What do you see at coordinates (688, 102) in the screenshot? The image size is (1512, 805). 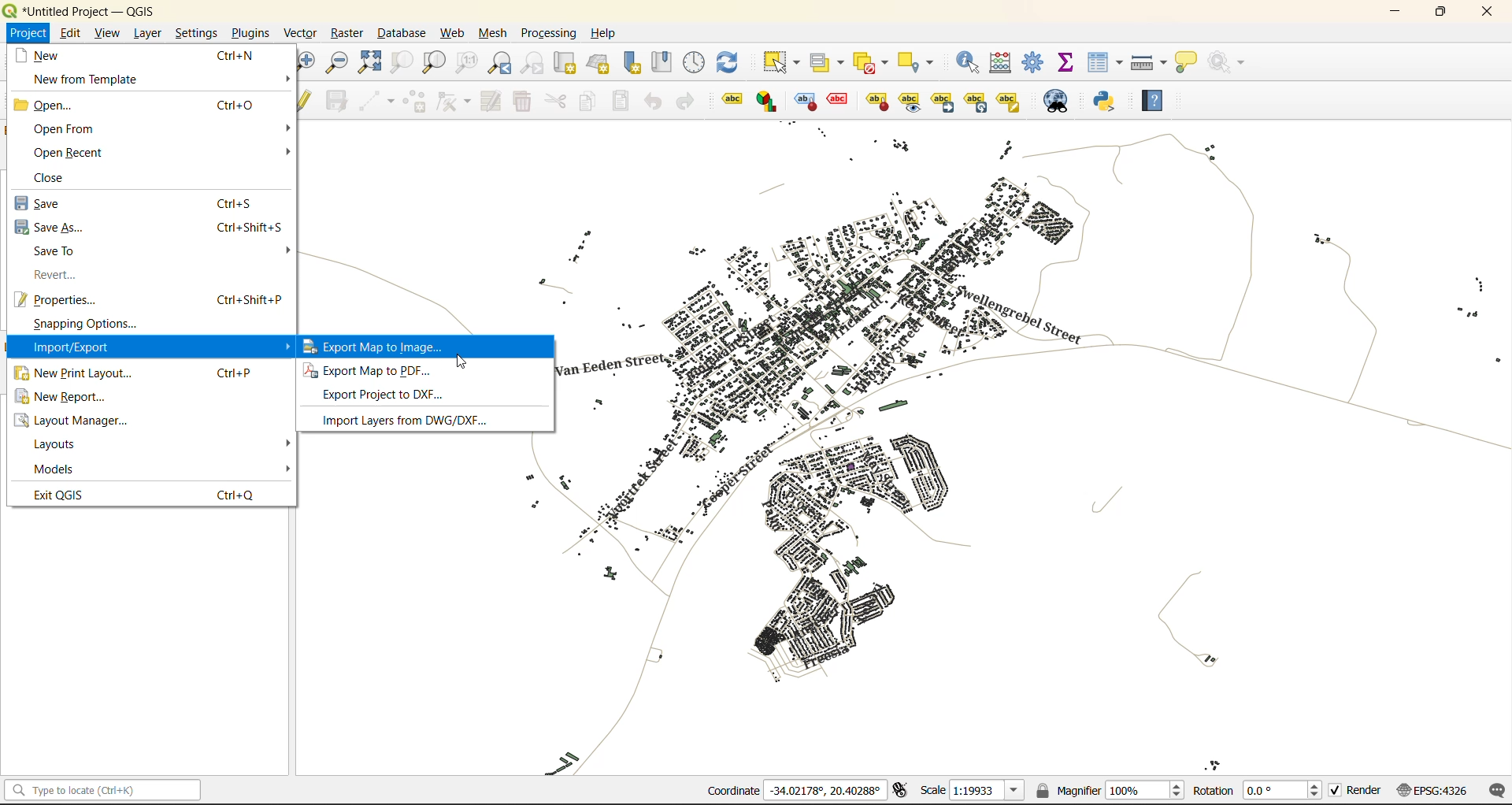 I see `redo` at bounding box center [688, 102].